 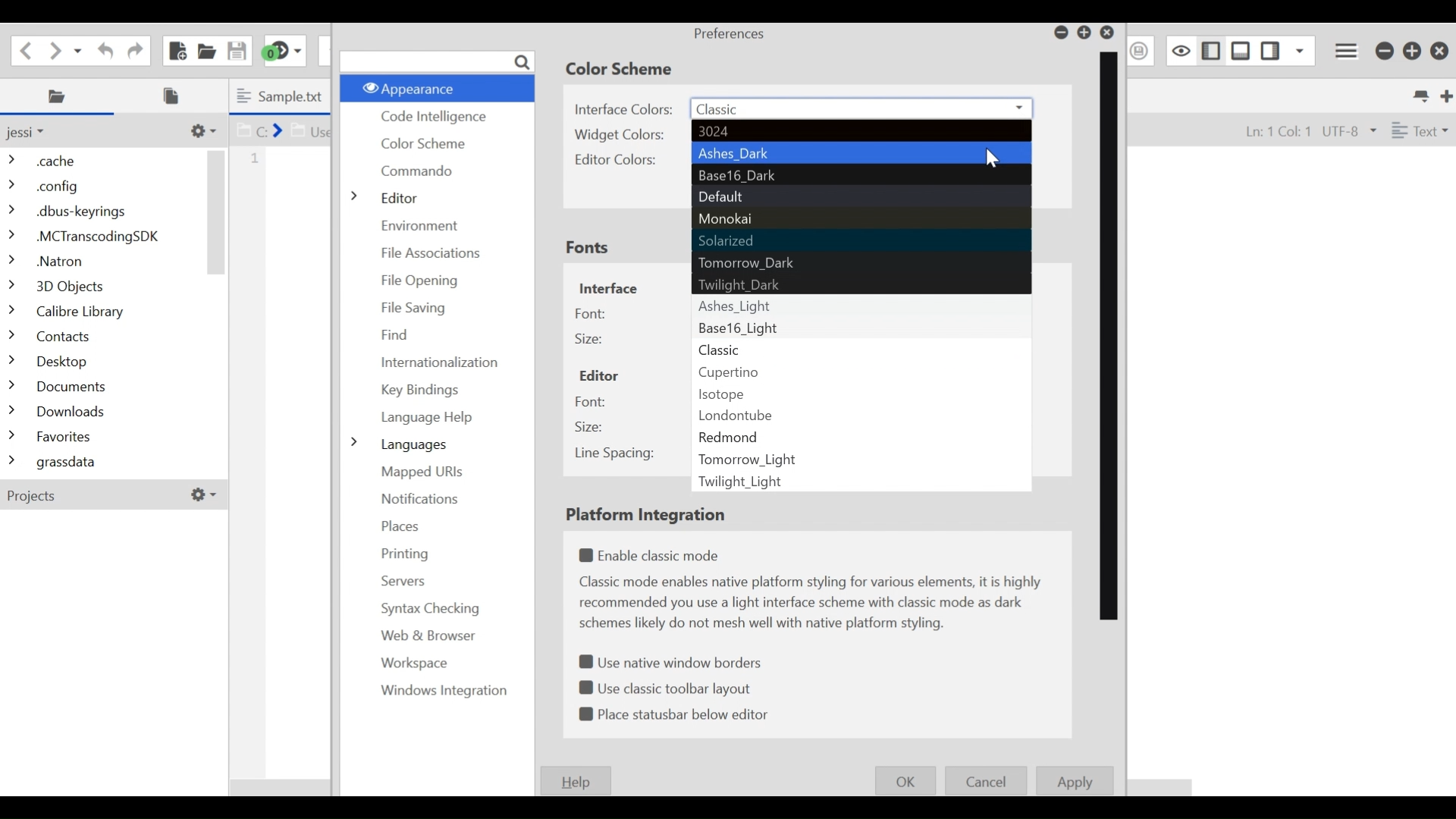 I want to click on Show specific Sidebar, so click(x=1301, y=50).